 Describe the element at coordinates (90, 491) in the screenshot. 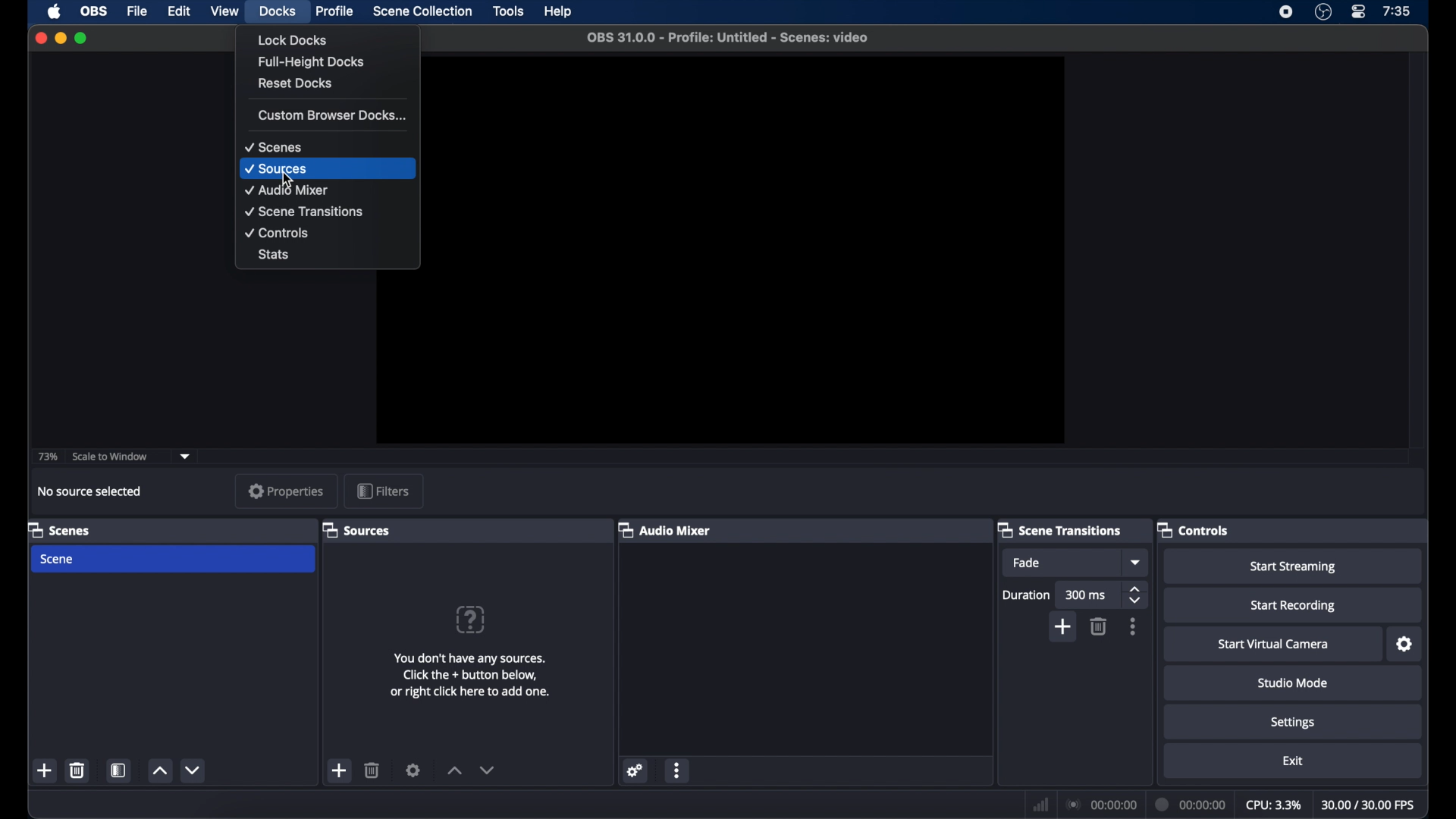

I see `no source selected` at that location.